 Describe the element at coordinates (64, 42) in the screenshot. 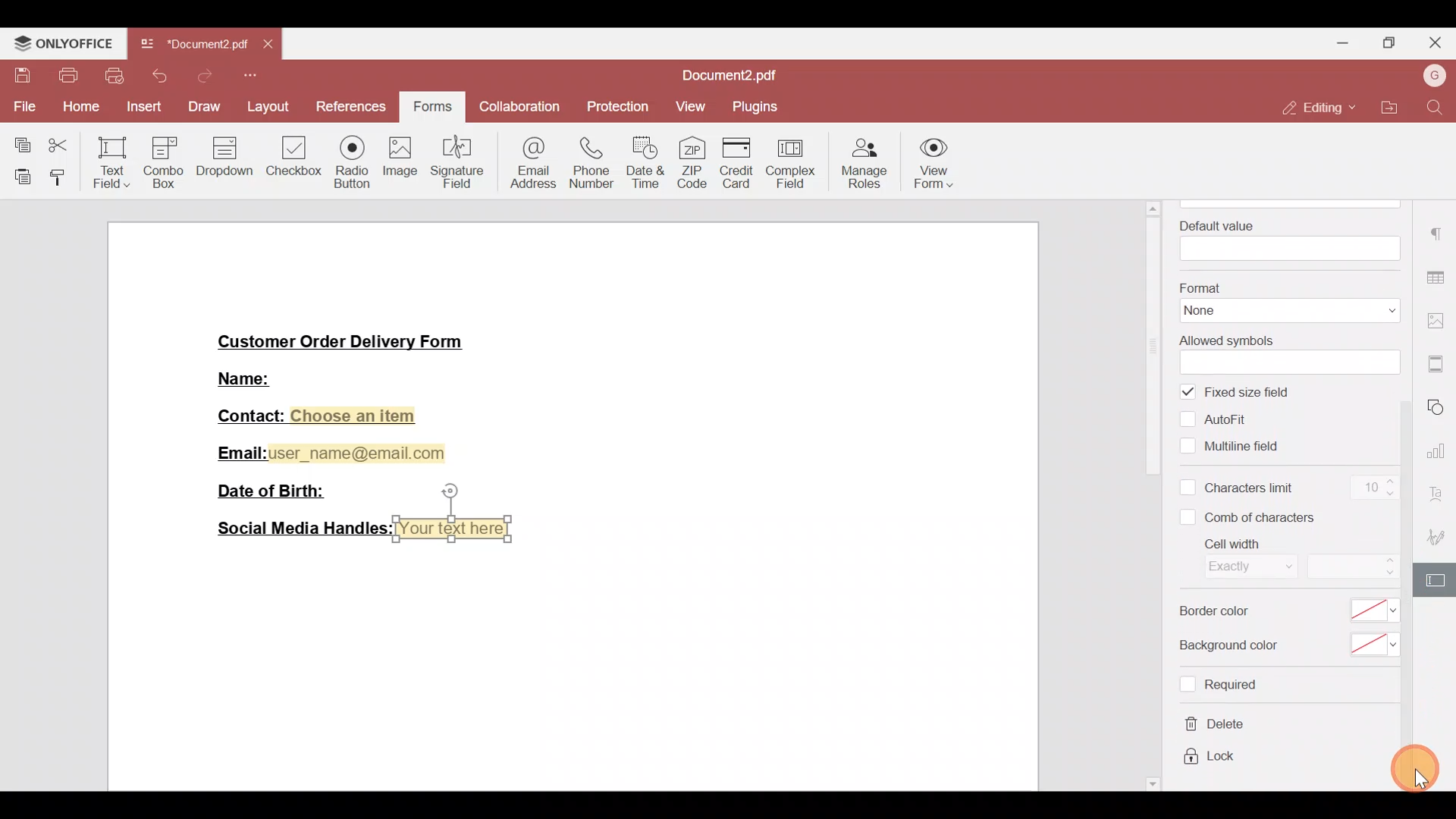

I see `ONLYOFFICE` at that location.